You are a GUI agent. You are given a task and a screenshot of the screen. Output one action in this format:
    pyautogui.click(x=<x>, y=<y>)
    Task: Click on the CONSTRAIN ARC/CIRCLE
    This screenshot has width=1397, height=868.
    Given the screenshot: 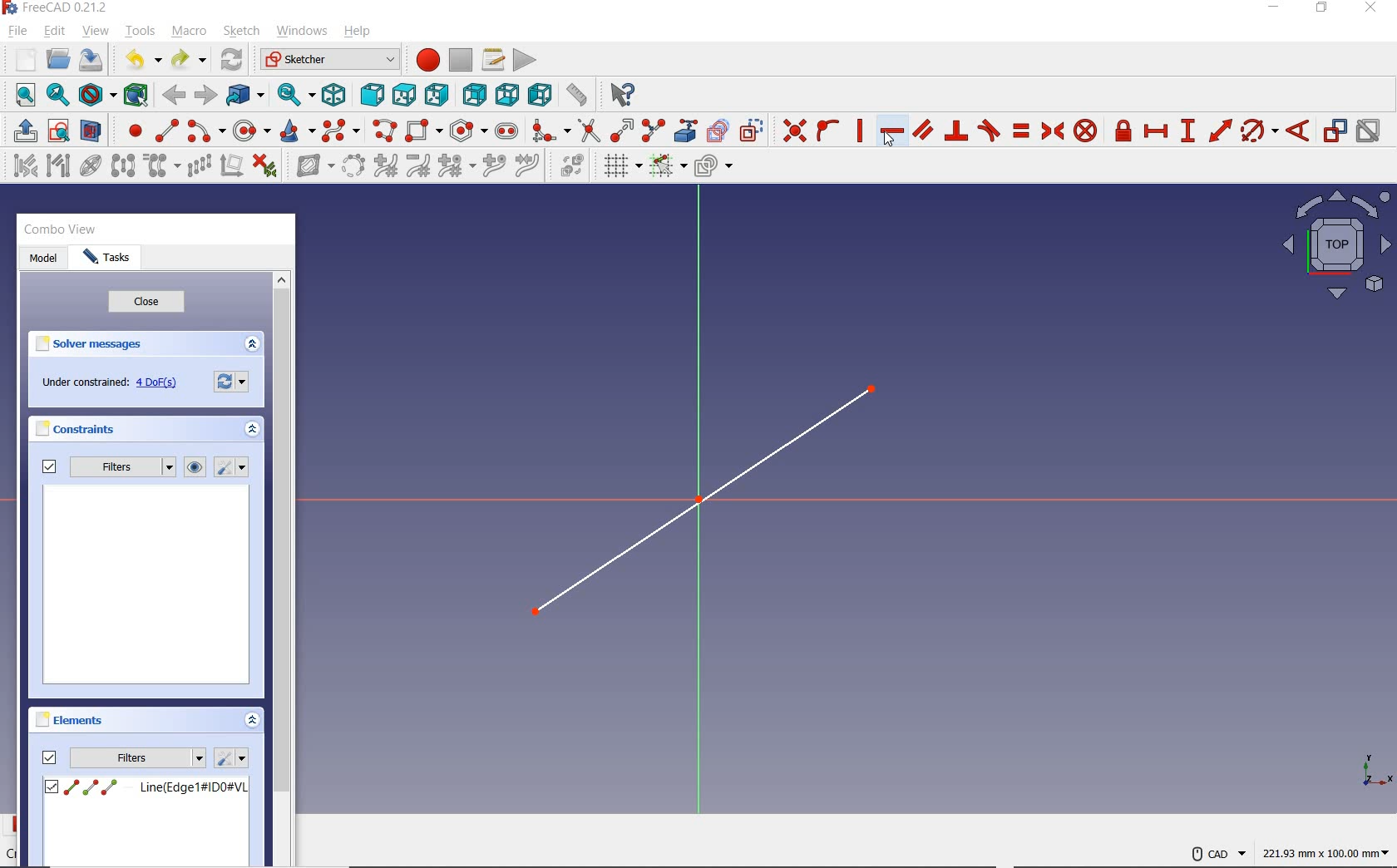 What is the action you would take?
    pyautogui.click(x=1259, y=131)
    